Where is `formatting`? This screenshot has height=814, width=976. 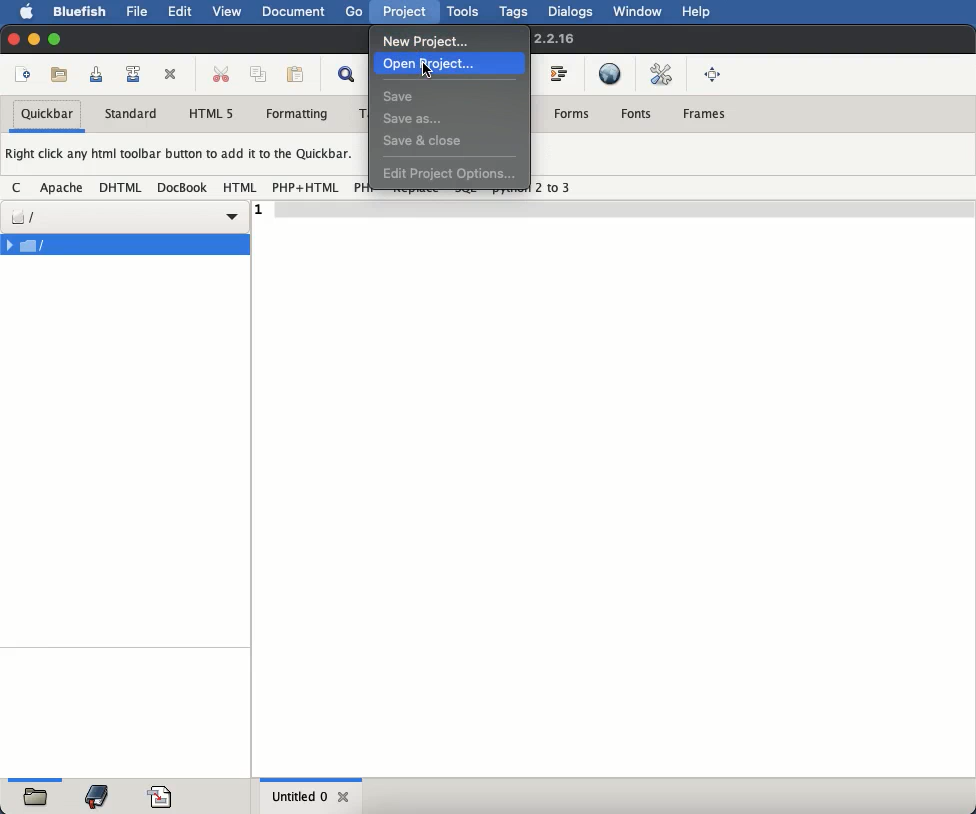 formatting is located at coordinates (298, 115).